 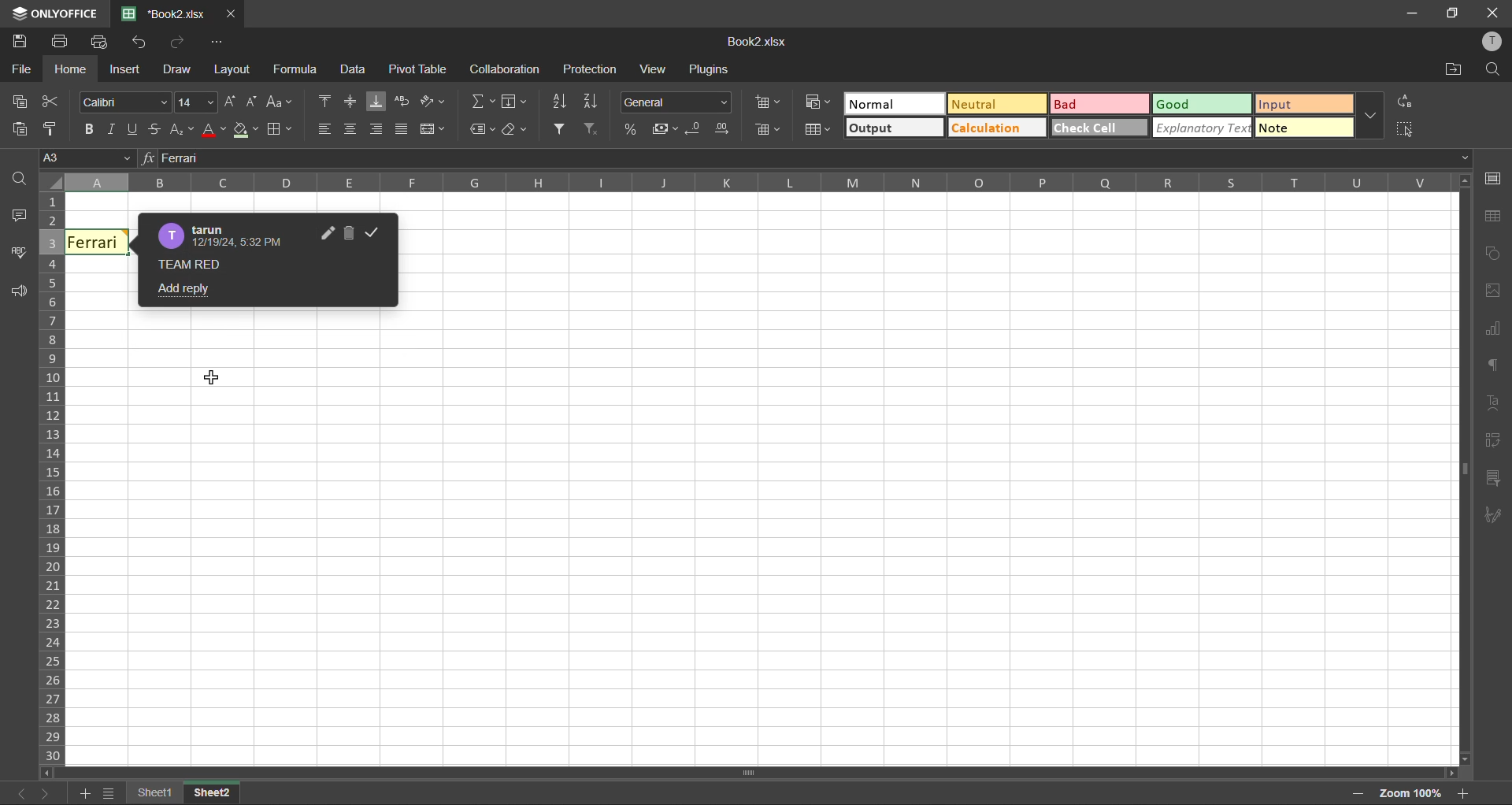 What do you see at coordinates (232, 101) in the screenshot?
I see `increment size` at bounding box center [232, 101].